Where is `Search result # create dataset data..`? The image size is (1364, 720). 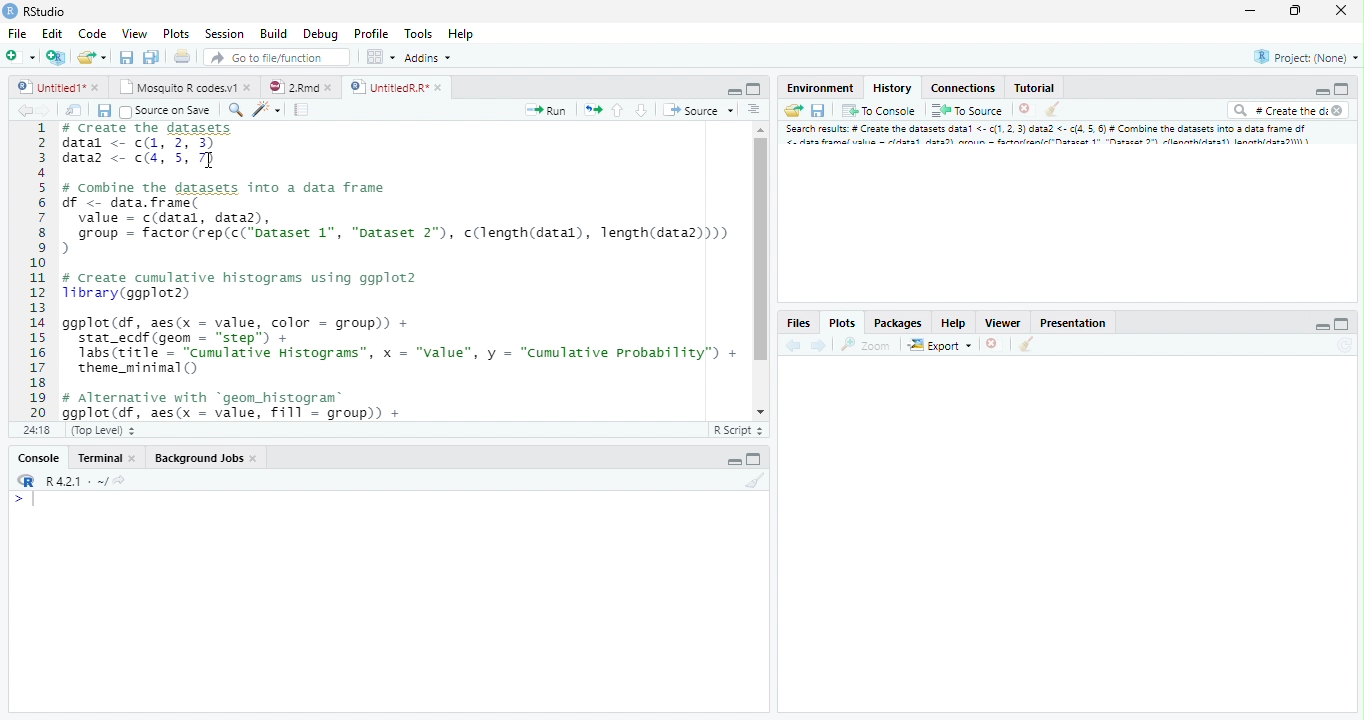 Search result # create dataset data.. is located at coordinates (1052, 137).